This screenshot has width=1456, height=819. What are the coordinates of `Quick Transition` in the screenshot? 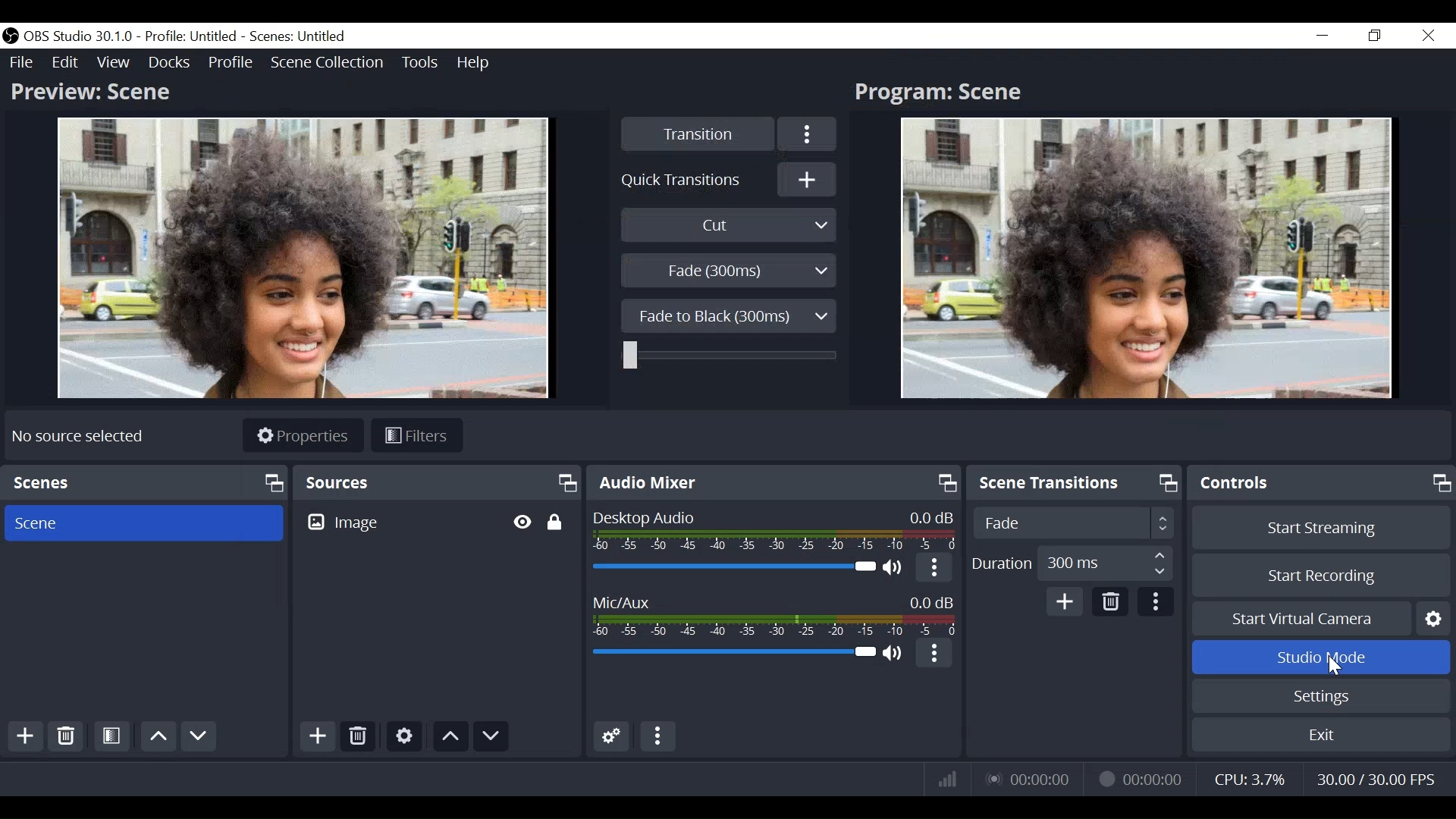 It's located at (691, 181).